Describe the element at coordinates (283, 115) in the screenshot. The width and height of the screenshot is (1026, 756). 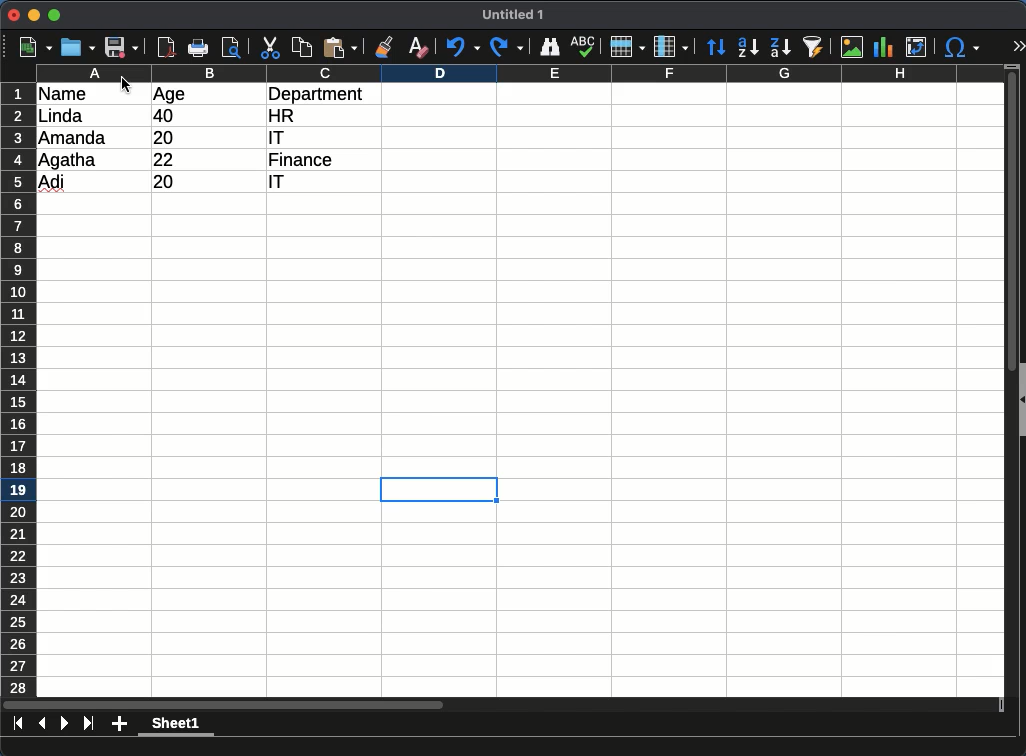
I see `hr` at that location.